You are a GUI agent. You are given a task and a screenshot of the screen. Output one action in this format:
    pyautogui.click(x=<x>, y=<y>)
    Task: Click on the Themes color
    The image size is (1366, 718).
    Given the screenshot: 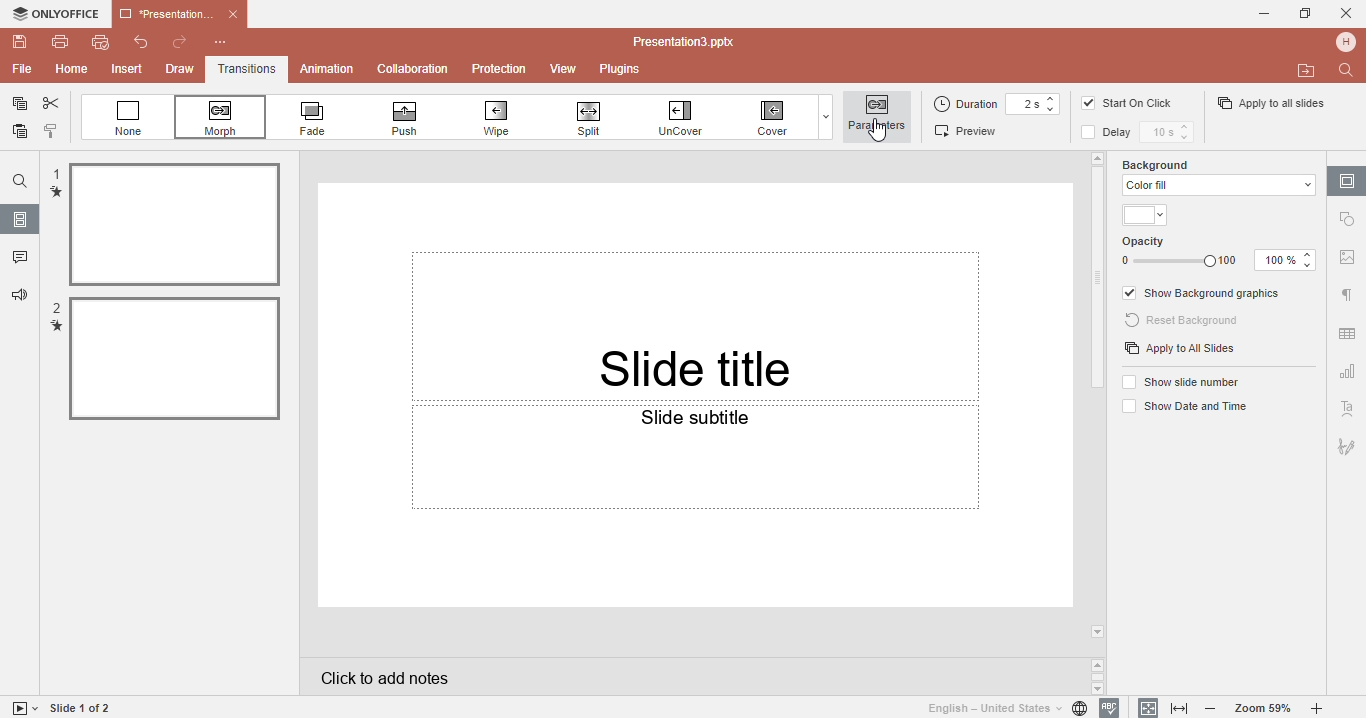 What is the action you would take?
    pyautogui.click(x=1147, y=216)
    